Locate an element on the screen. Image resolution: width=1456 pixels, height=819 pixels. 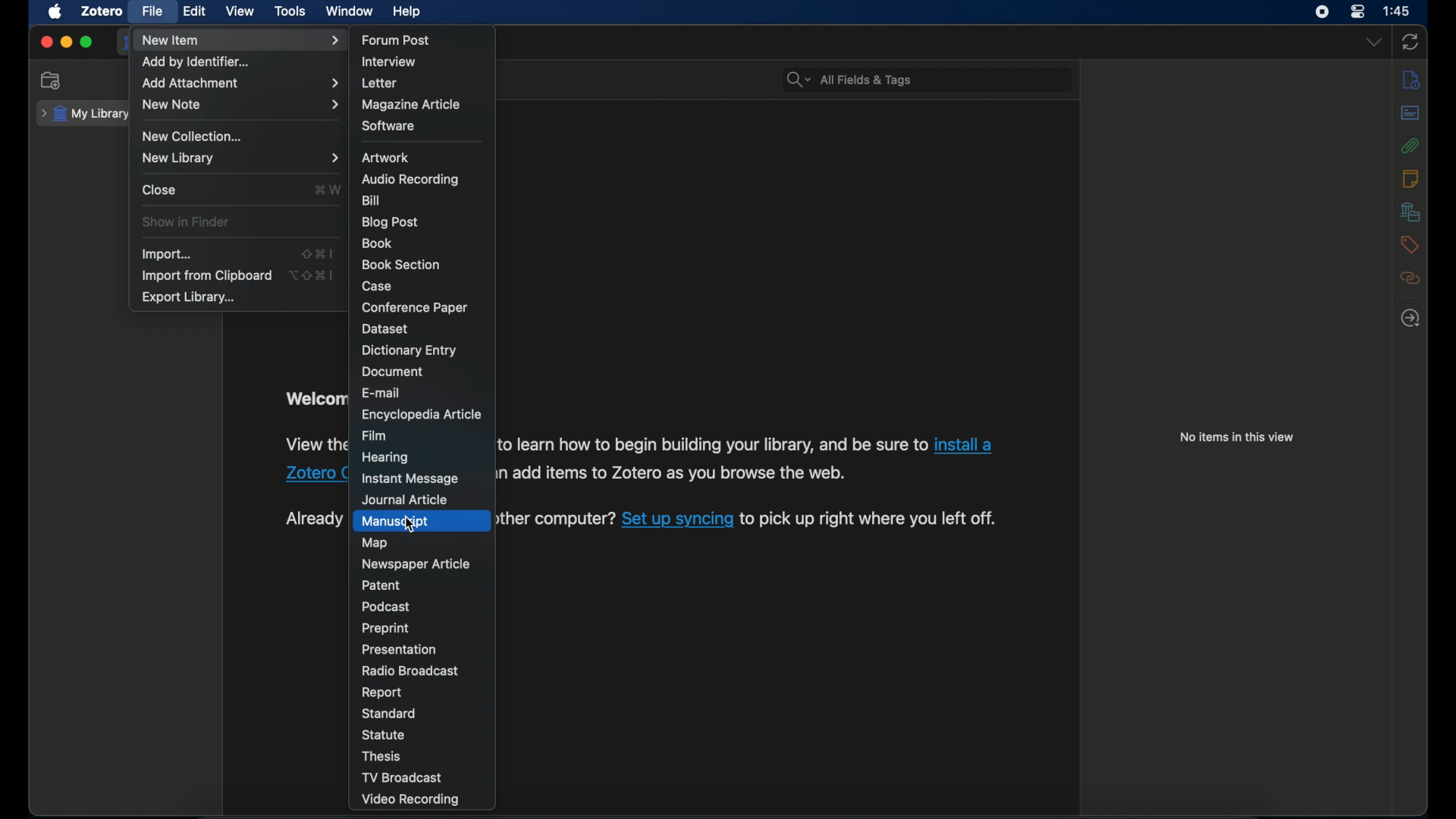
import is located at coordinates (168, 254).